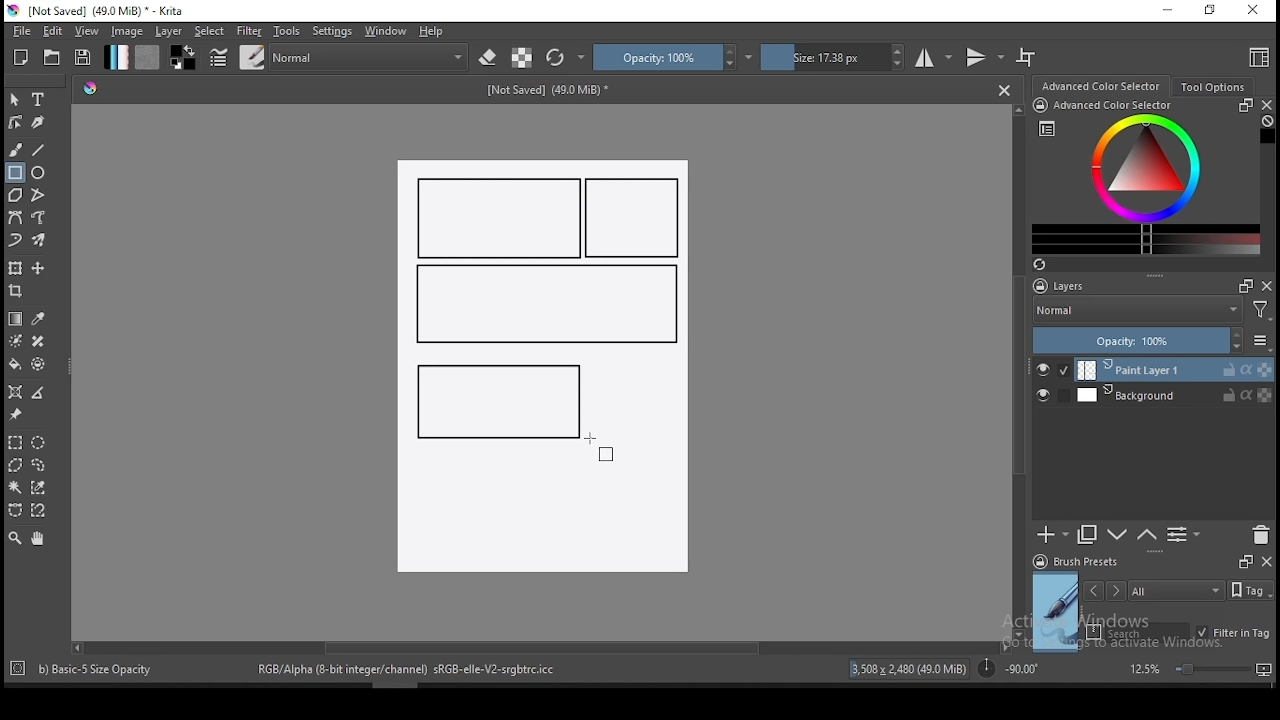  What do you see at coordinates (522, 59) in the screenshot?
I see `preserve alpha` at bounding box center [522, 59].